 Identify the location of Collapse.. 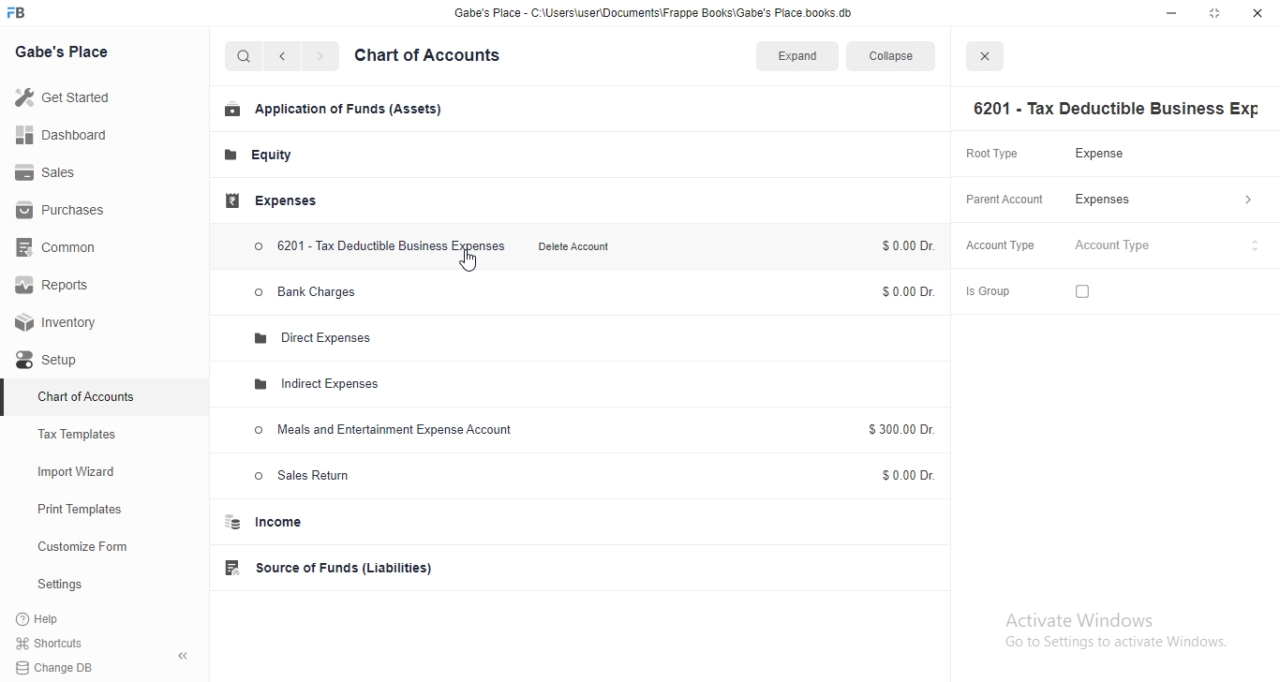
(1225, 57).